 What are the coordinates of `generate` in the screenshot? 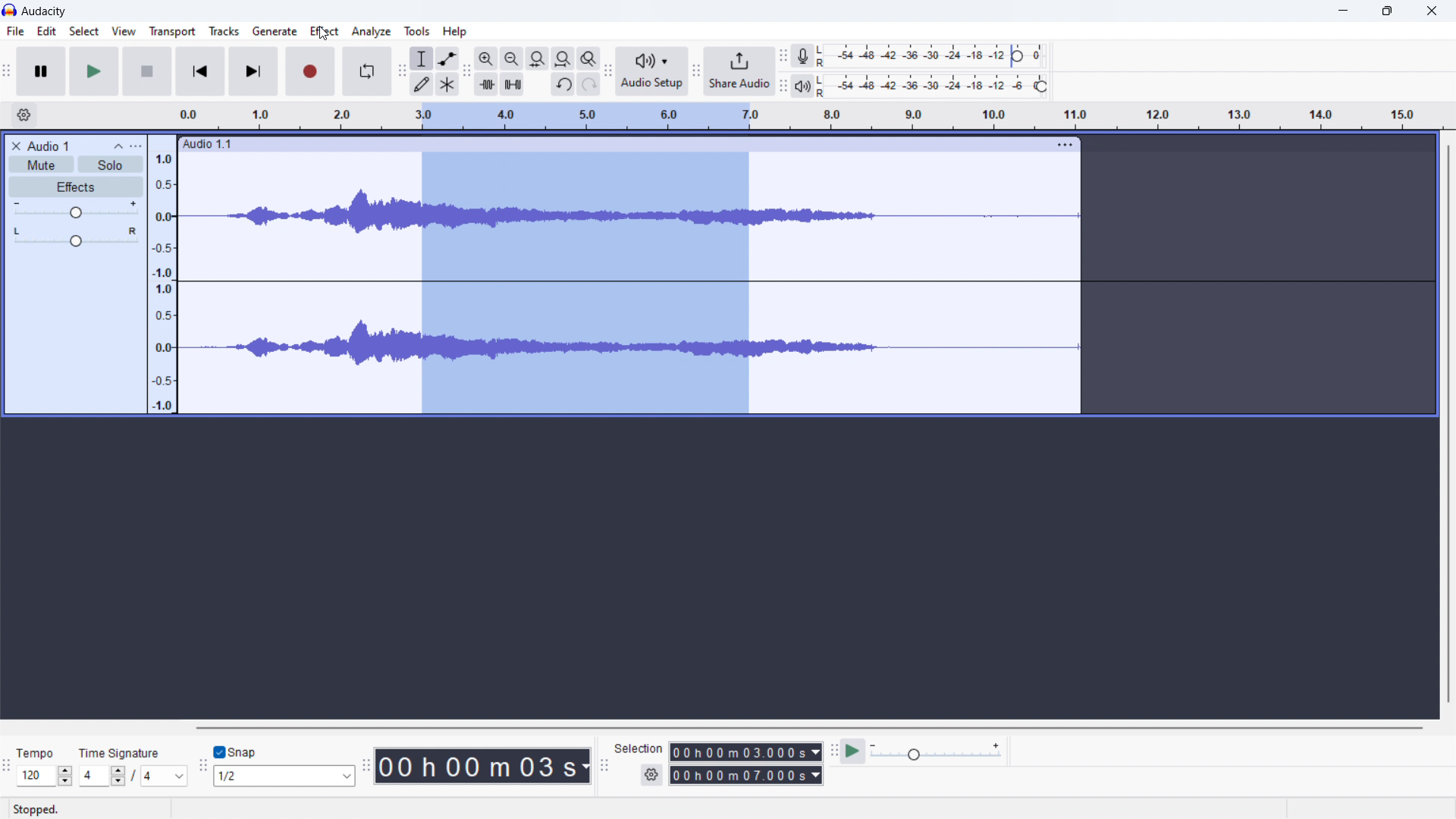 It's located at (275, 32).